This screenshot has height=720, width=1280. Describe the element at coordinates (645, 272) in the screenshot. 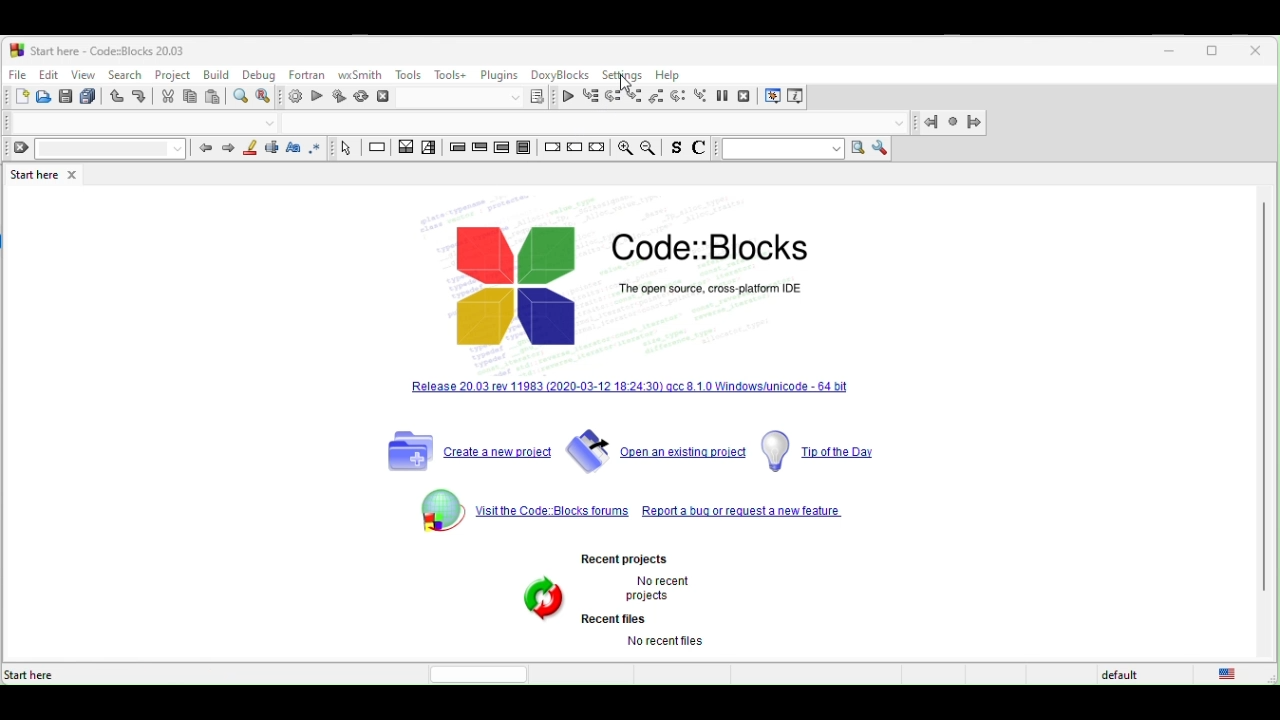

I see `Code::Blocks The open source cross platform IDE` at that location.